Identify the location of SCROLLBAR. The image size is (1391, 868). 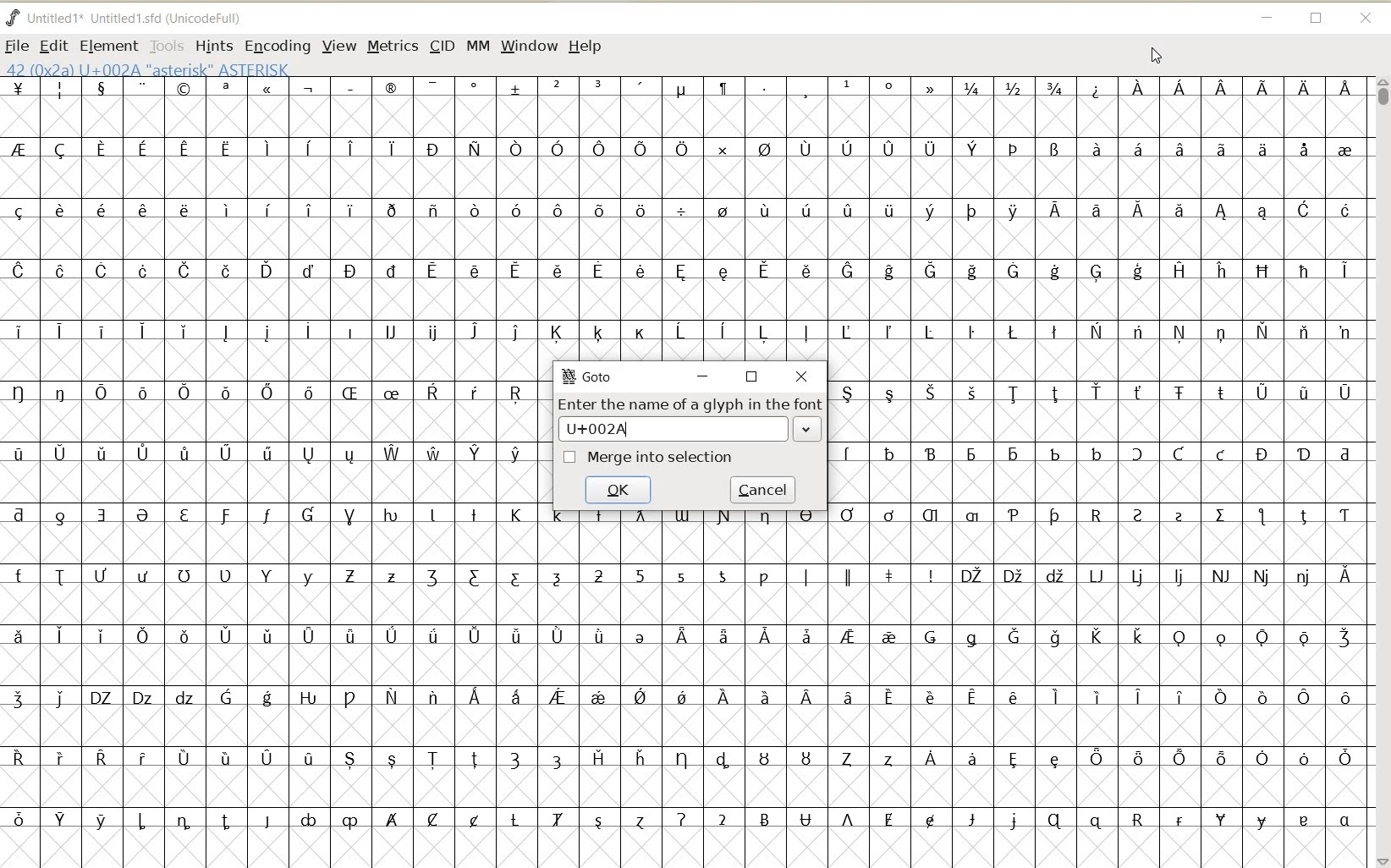
(1381, 471).